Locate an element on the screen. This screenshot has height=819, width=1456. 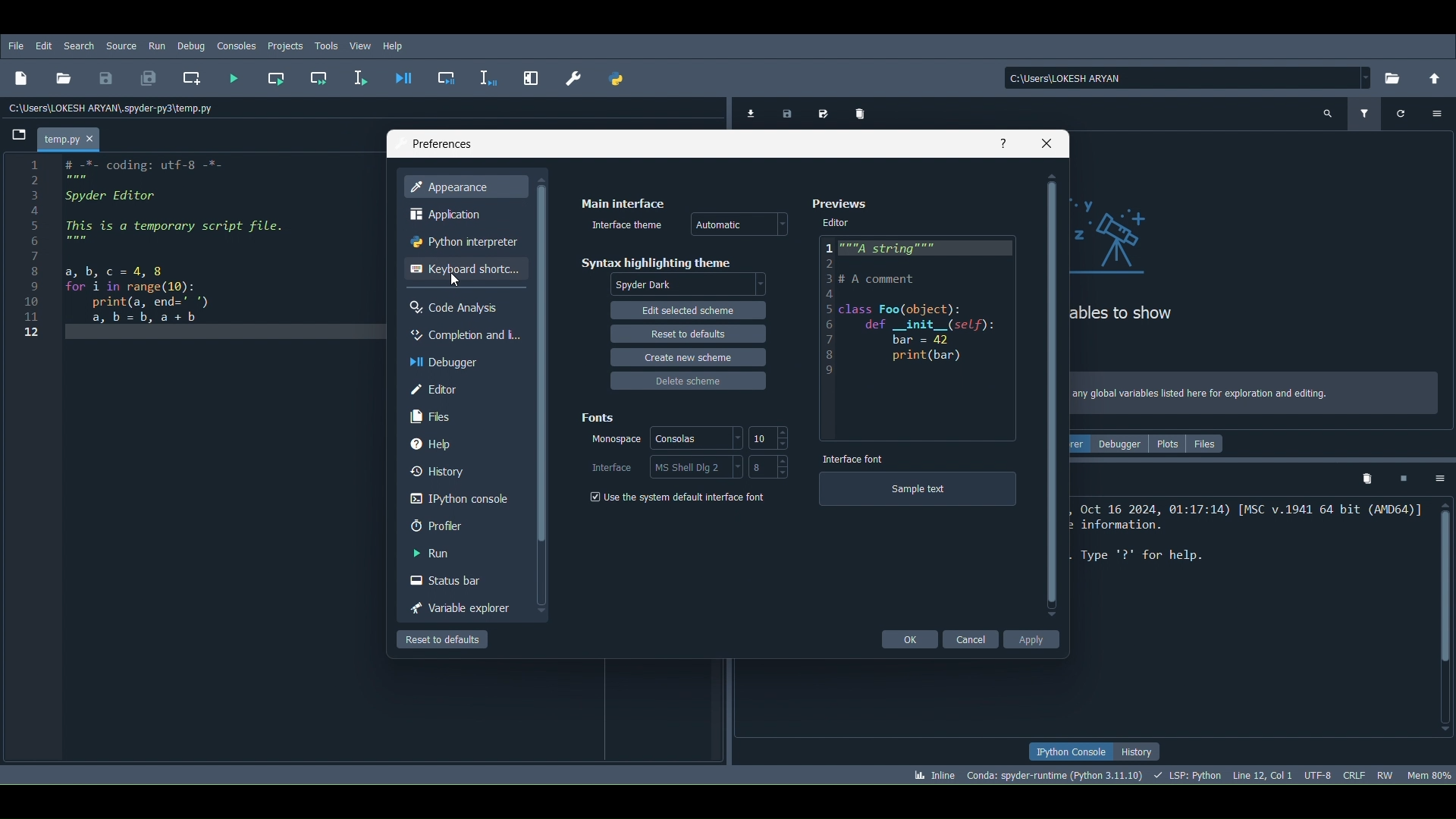
Run is located at coordinates (460, 551).